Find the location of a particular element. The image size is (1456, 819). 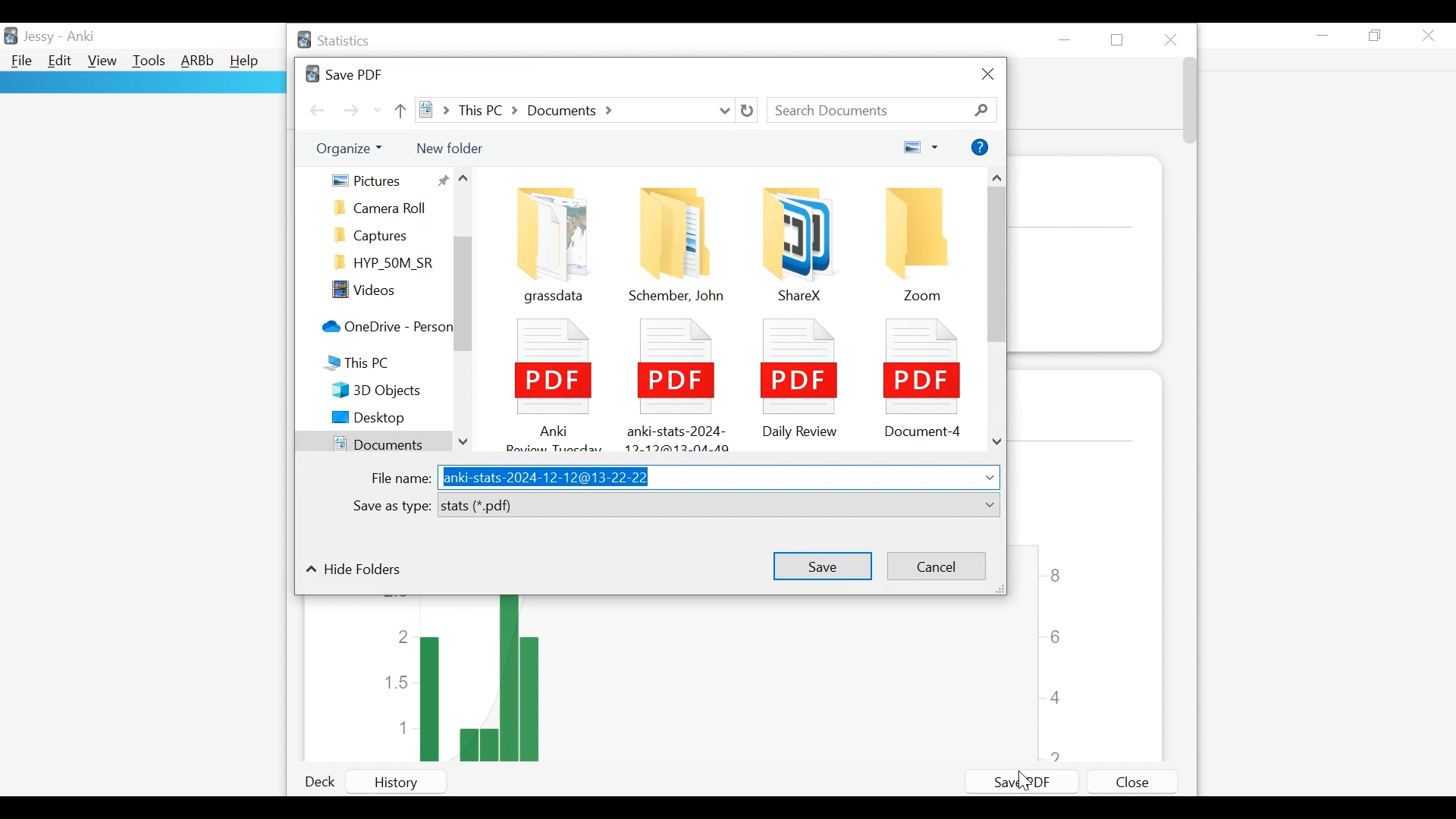

Help is located at coordinates (980, 148).